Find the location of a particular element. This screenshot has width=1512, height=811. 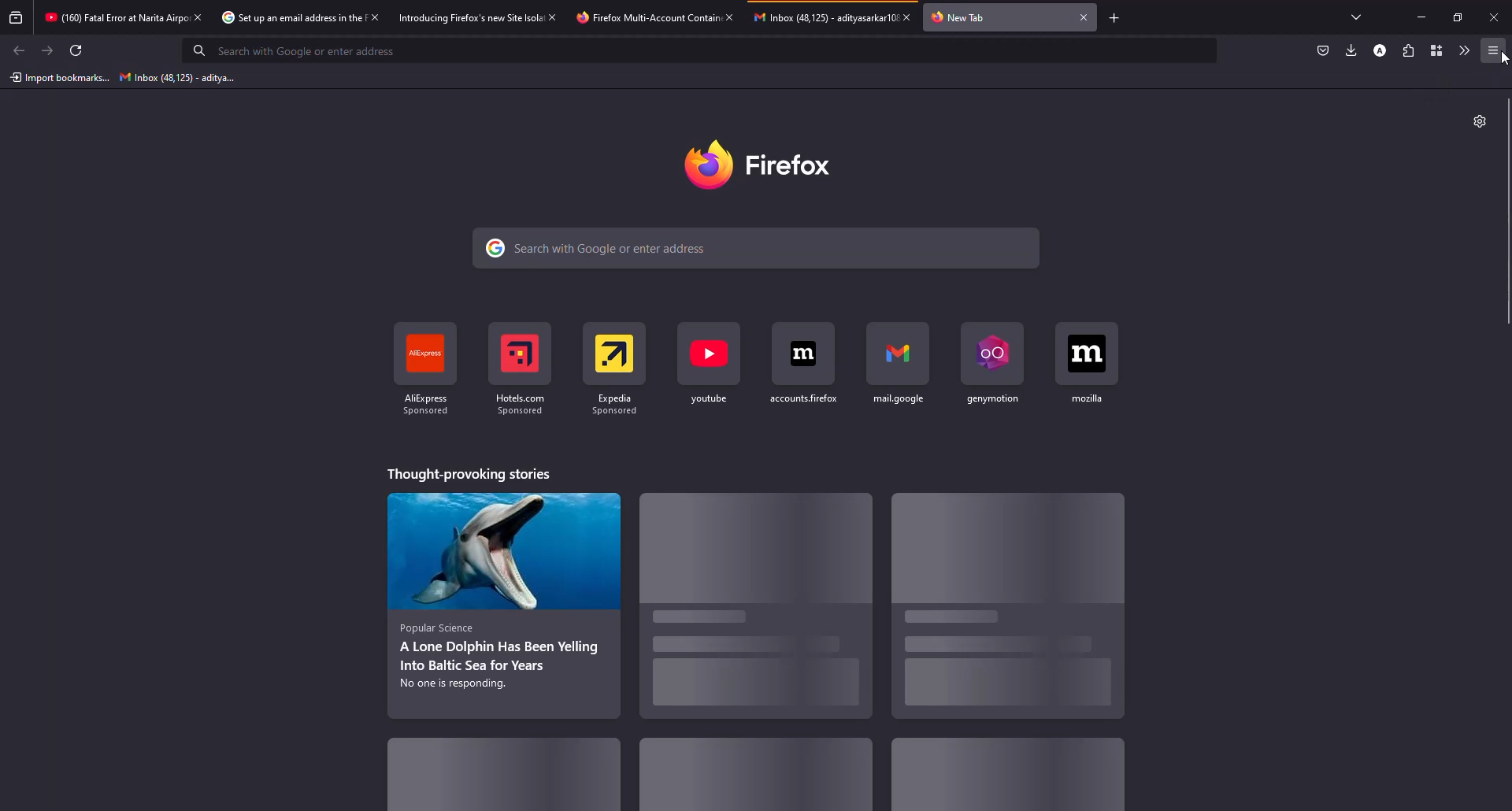

inbox is located at coordinates (172, 78).